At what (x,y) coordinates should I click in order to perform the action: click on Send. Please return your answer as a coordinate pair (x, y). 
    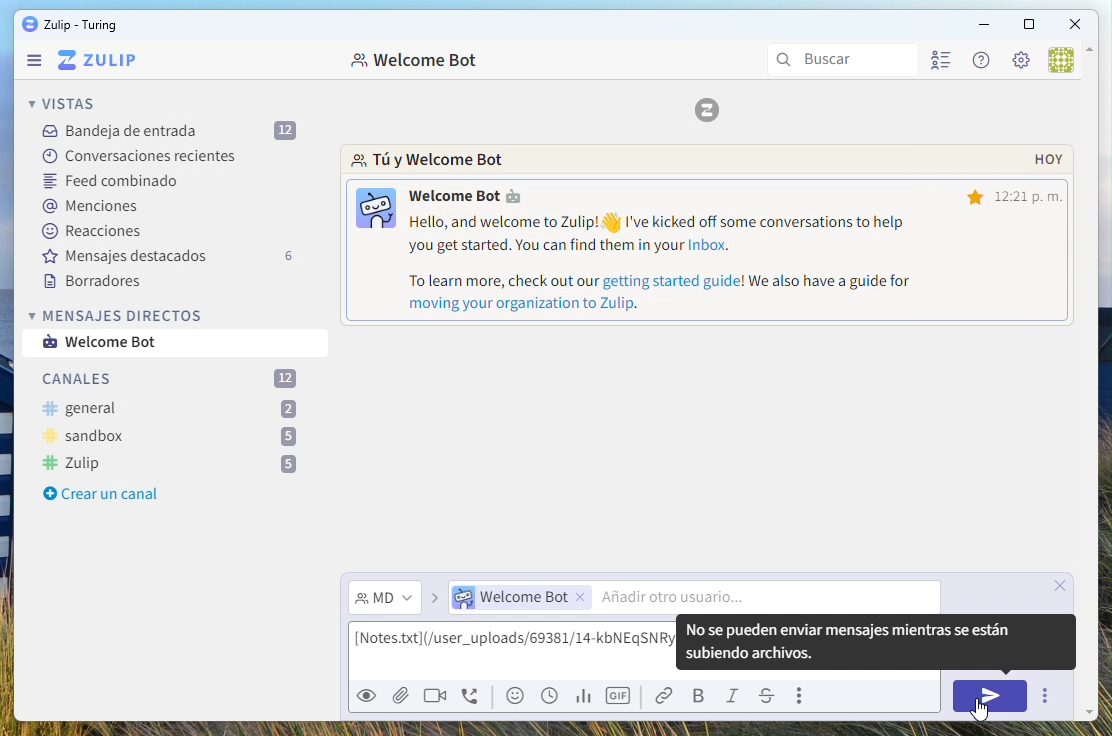
    Looking at the image, I should click on (993, 697).